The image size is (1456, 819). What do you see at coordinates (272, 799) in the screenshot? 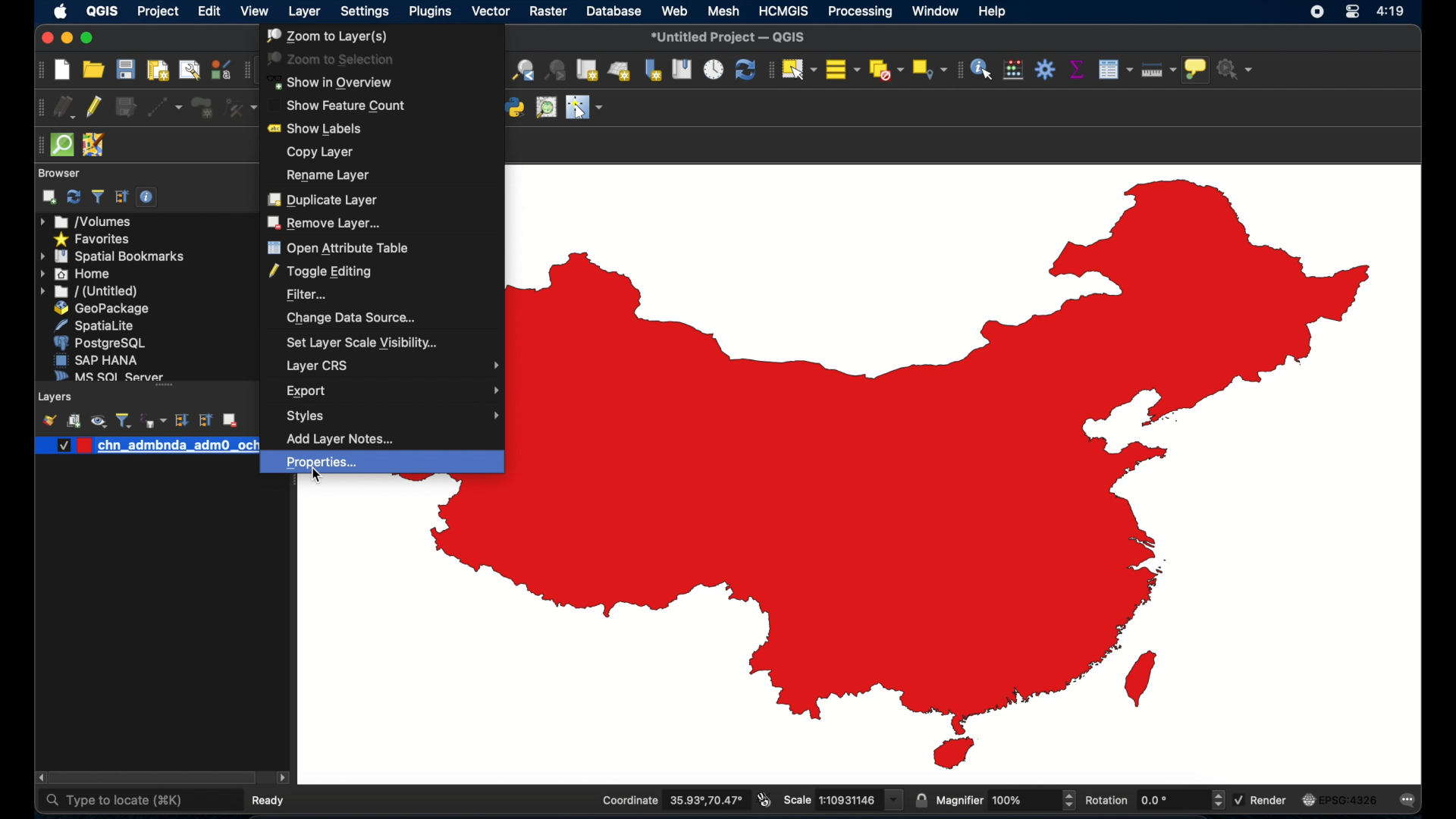
I see `ready` at bounding box center [272, 799].